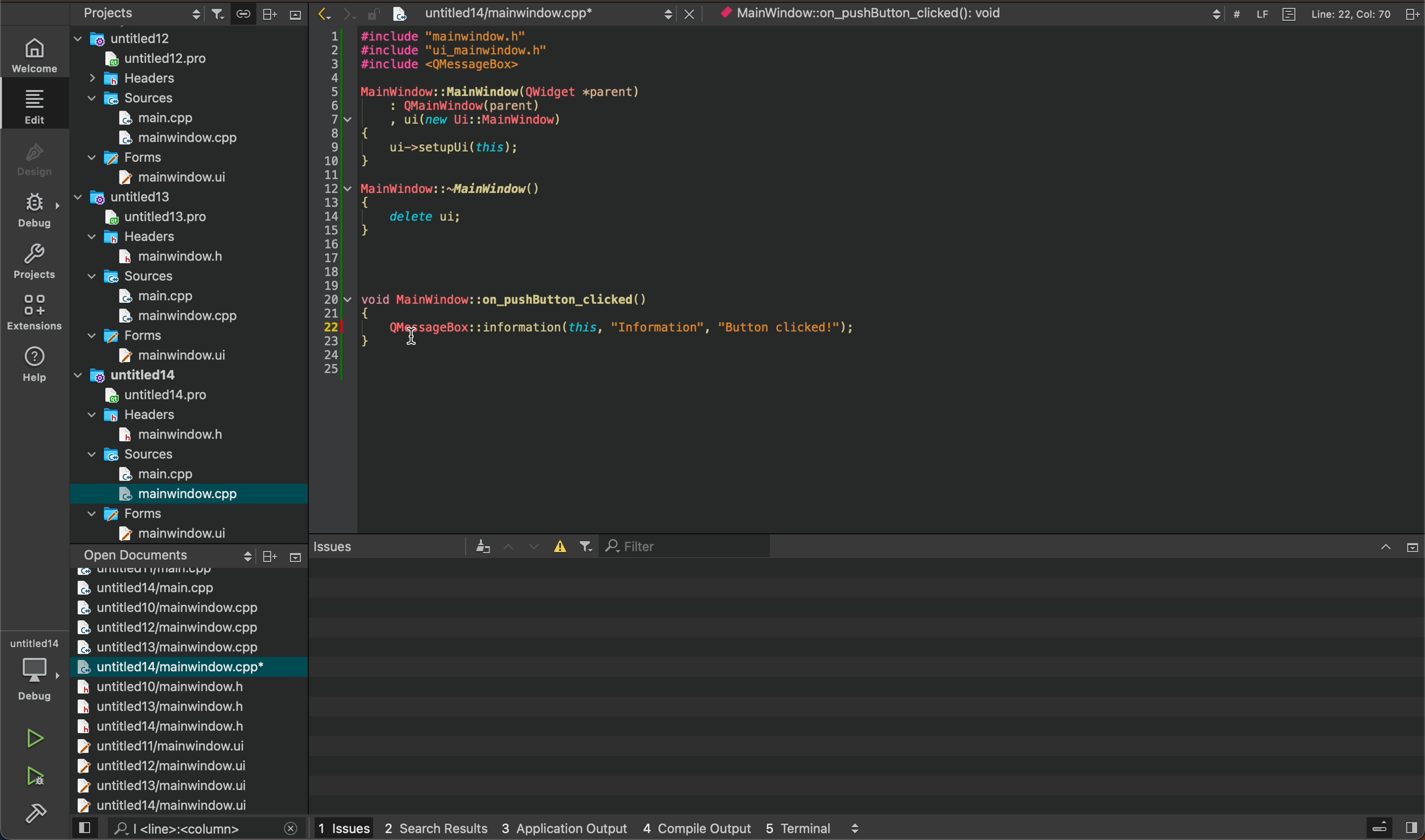  What do you see at coordinates (166, 554) in the screenshot?
I see `open documents` at bounding box center [166, 554].